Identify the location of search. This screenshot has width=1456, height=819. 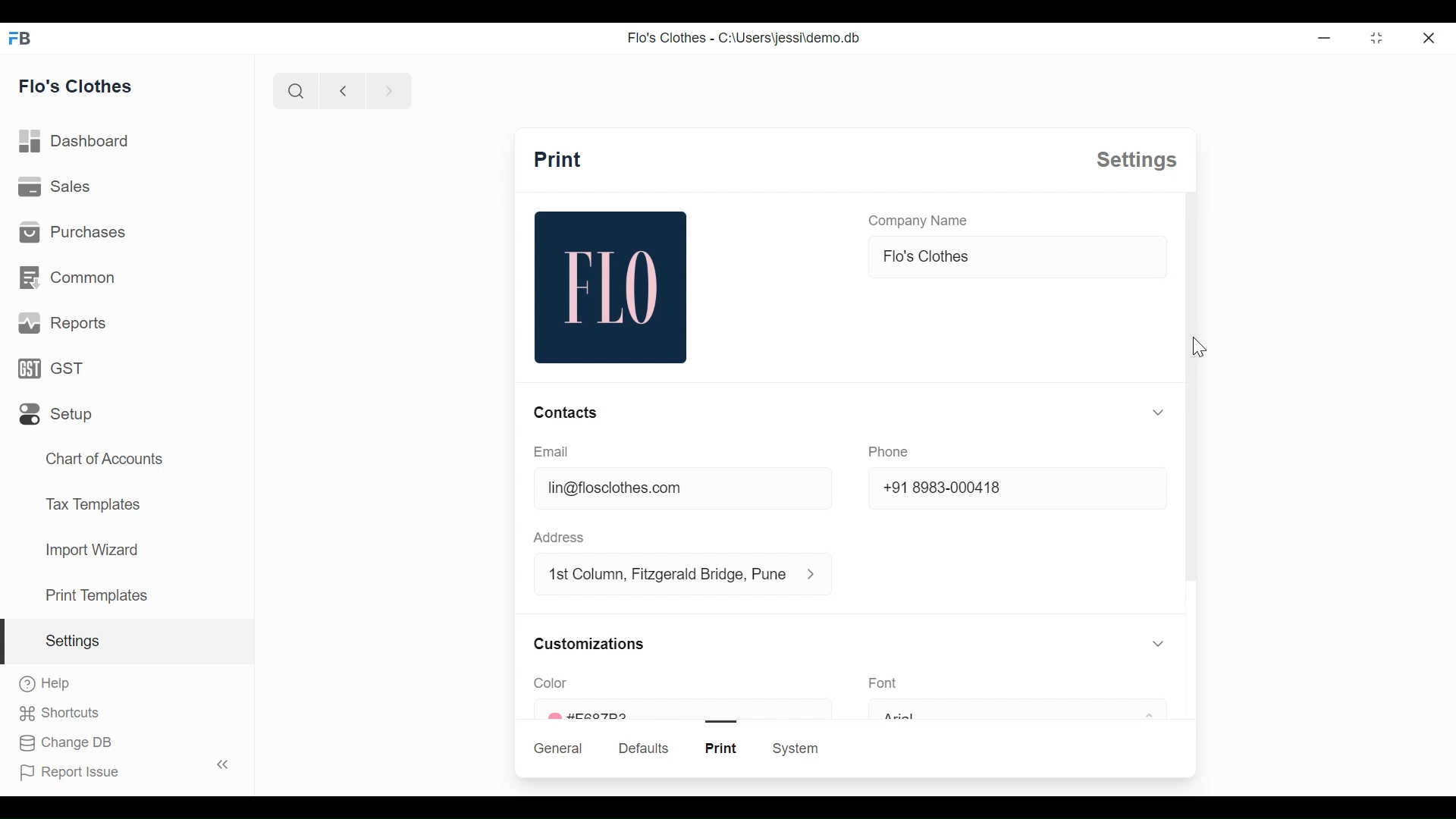
(295, 90).